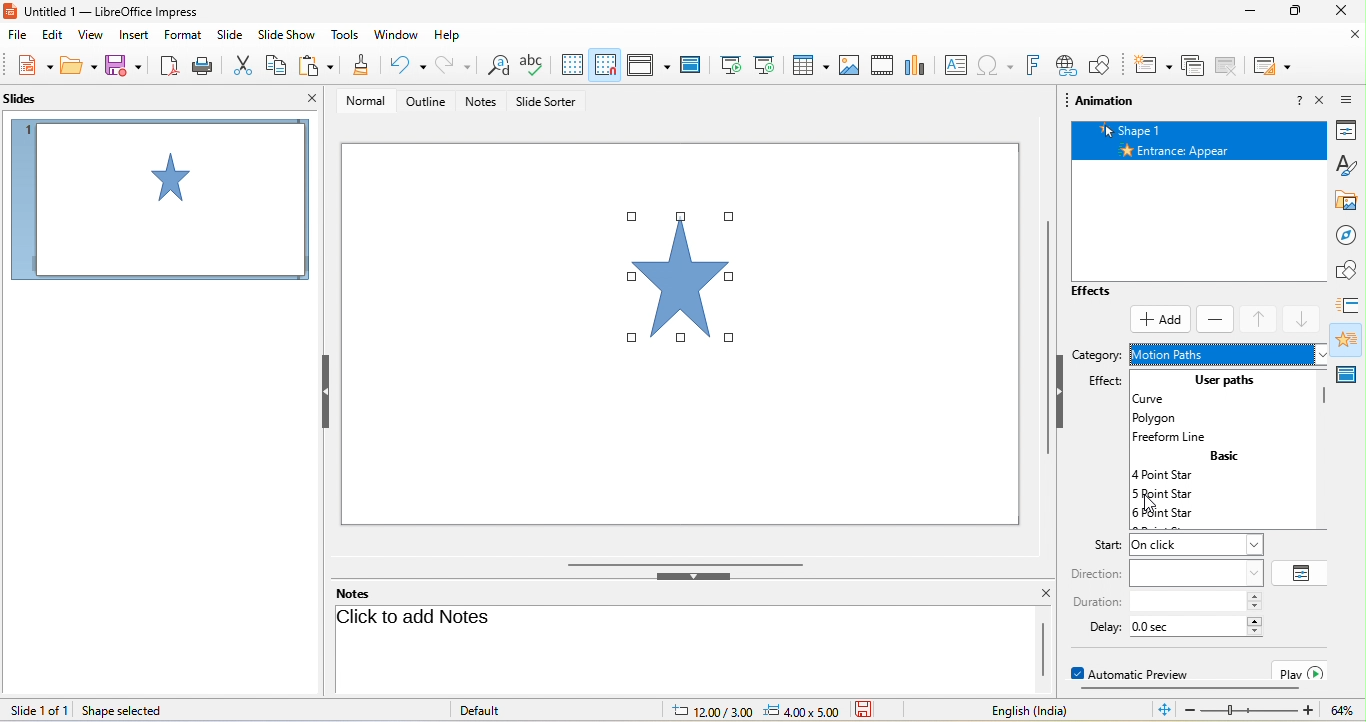 The image size is (1366, 722). What do you see at coordinates (1109, 293) in the screenshot?
I see `effects` at bounding box center [1109, 293].